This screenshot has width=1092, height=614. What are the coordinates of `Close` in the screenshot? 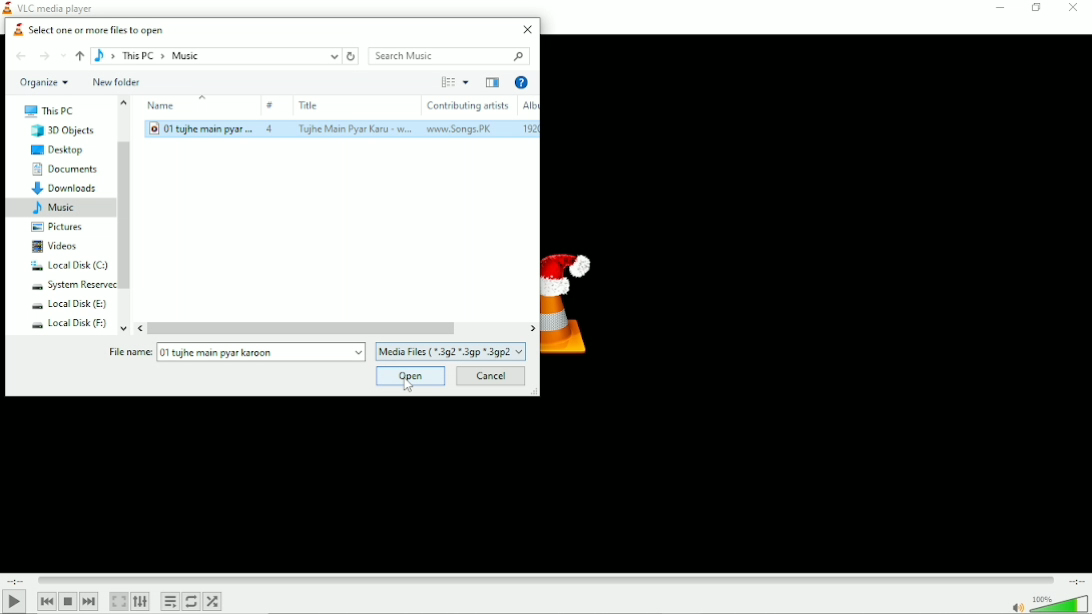 It's located at (529, 29).